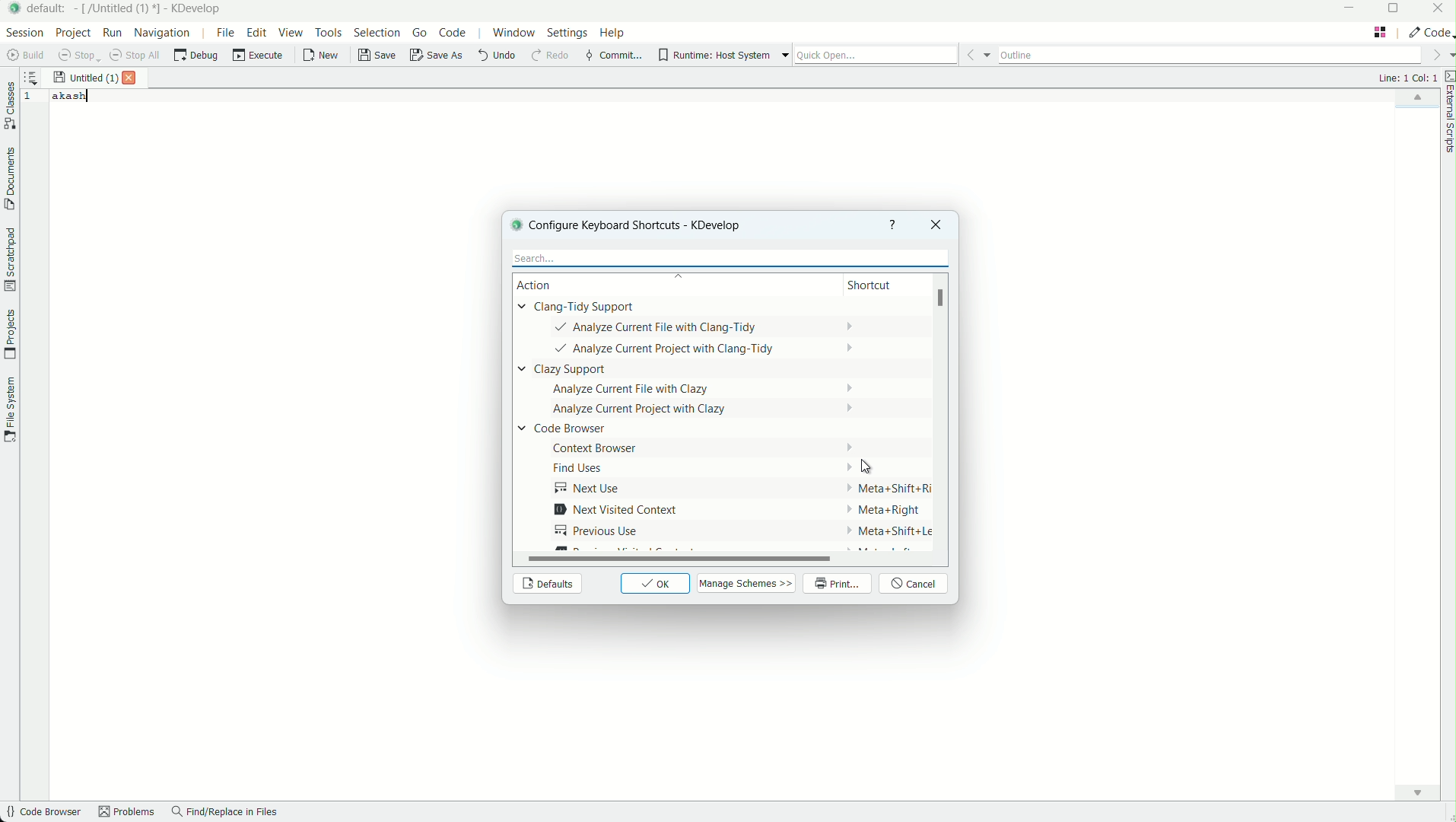 This screenshot has width=1456, height=822. Describe the element at coordinates (72, 33) in the screenshot. I see `project menu` at that location.